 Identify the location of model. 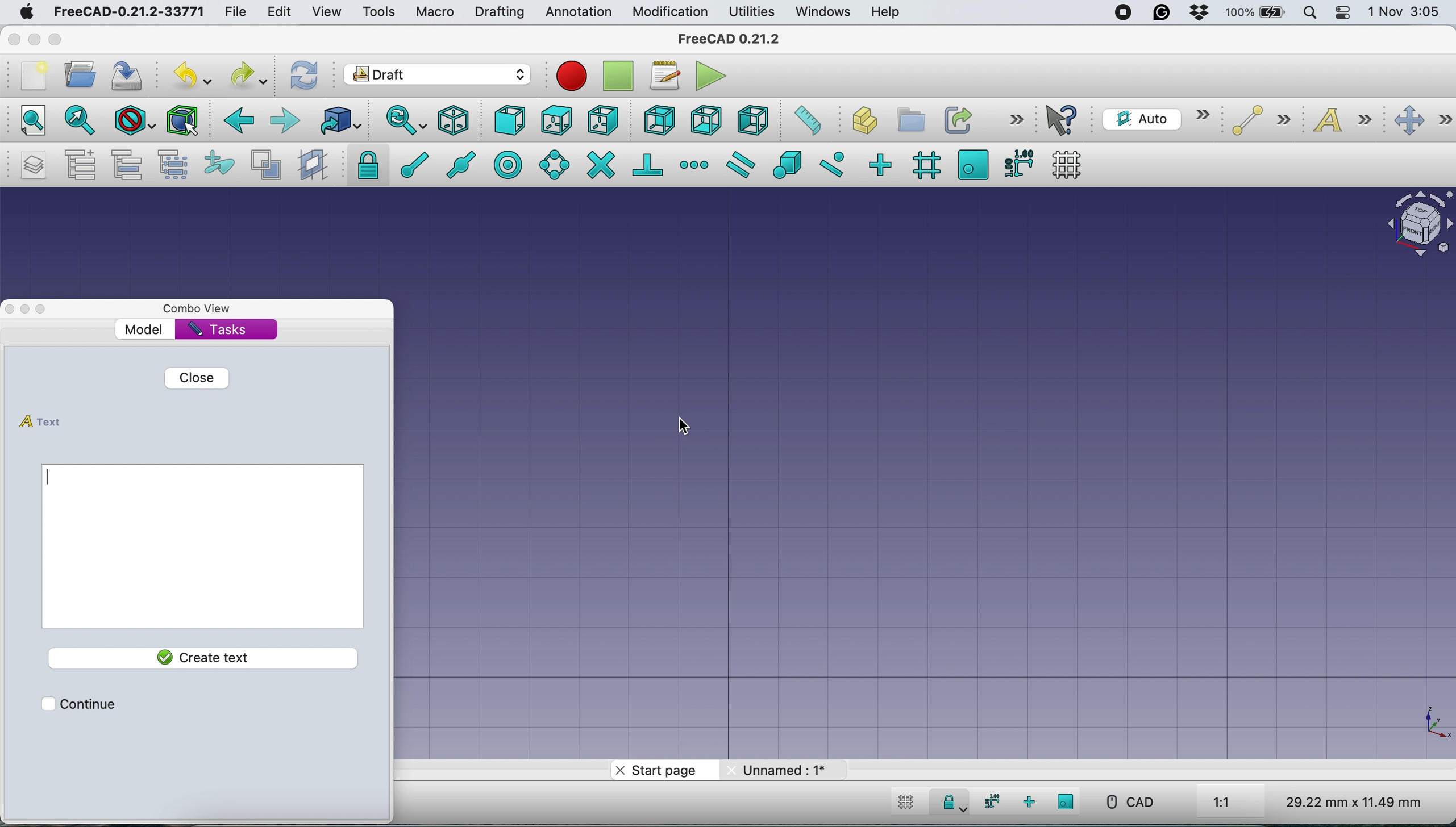
(146, 330).